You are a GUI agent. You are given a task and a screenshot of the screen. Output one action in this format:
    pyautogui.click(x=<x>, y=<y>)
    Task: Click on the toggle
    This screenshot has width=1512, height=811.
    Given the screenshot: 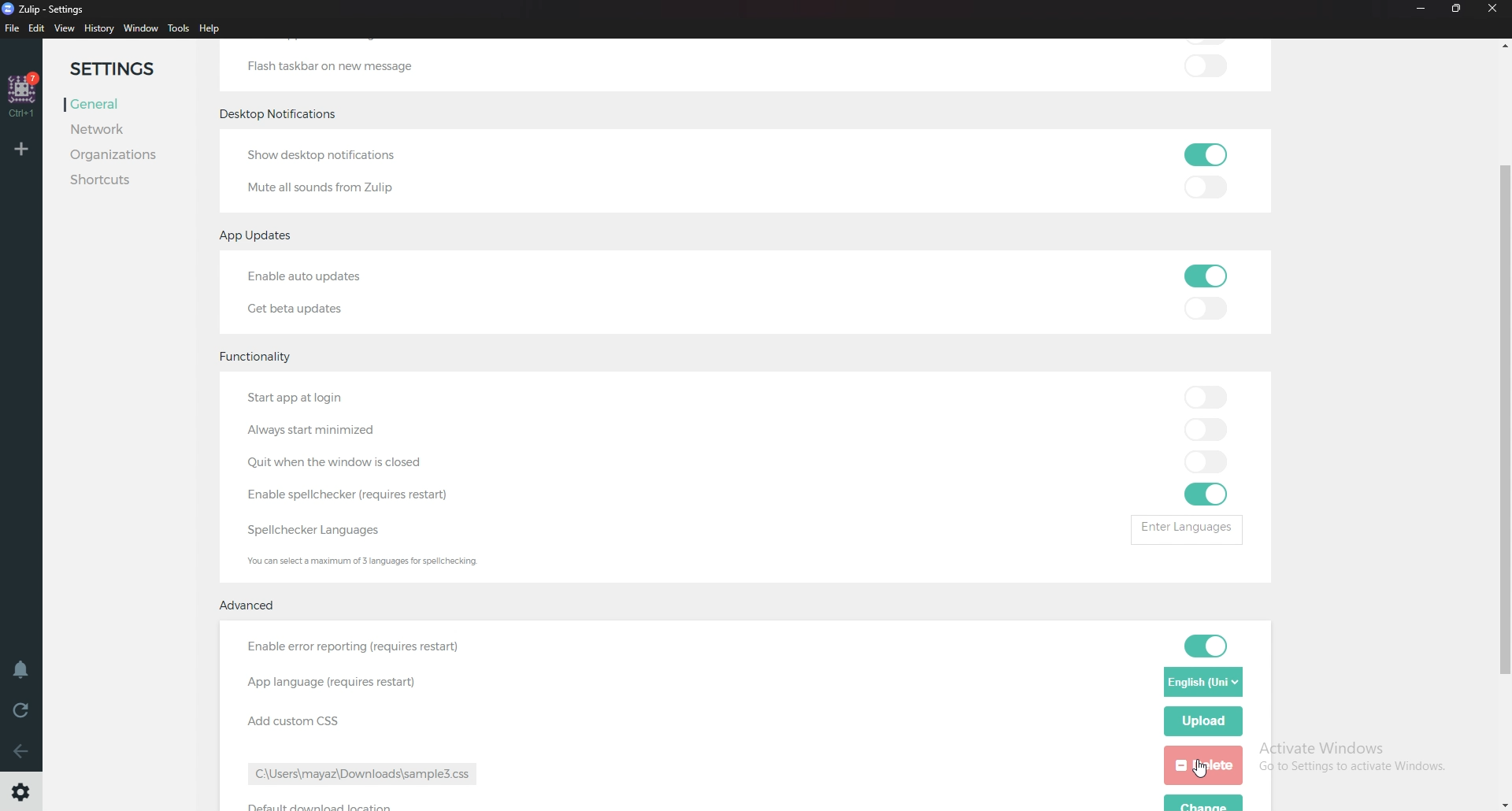 What is the action you would take?
    pyautogui.click(x=1206, y=461)
    